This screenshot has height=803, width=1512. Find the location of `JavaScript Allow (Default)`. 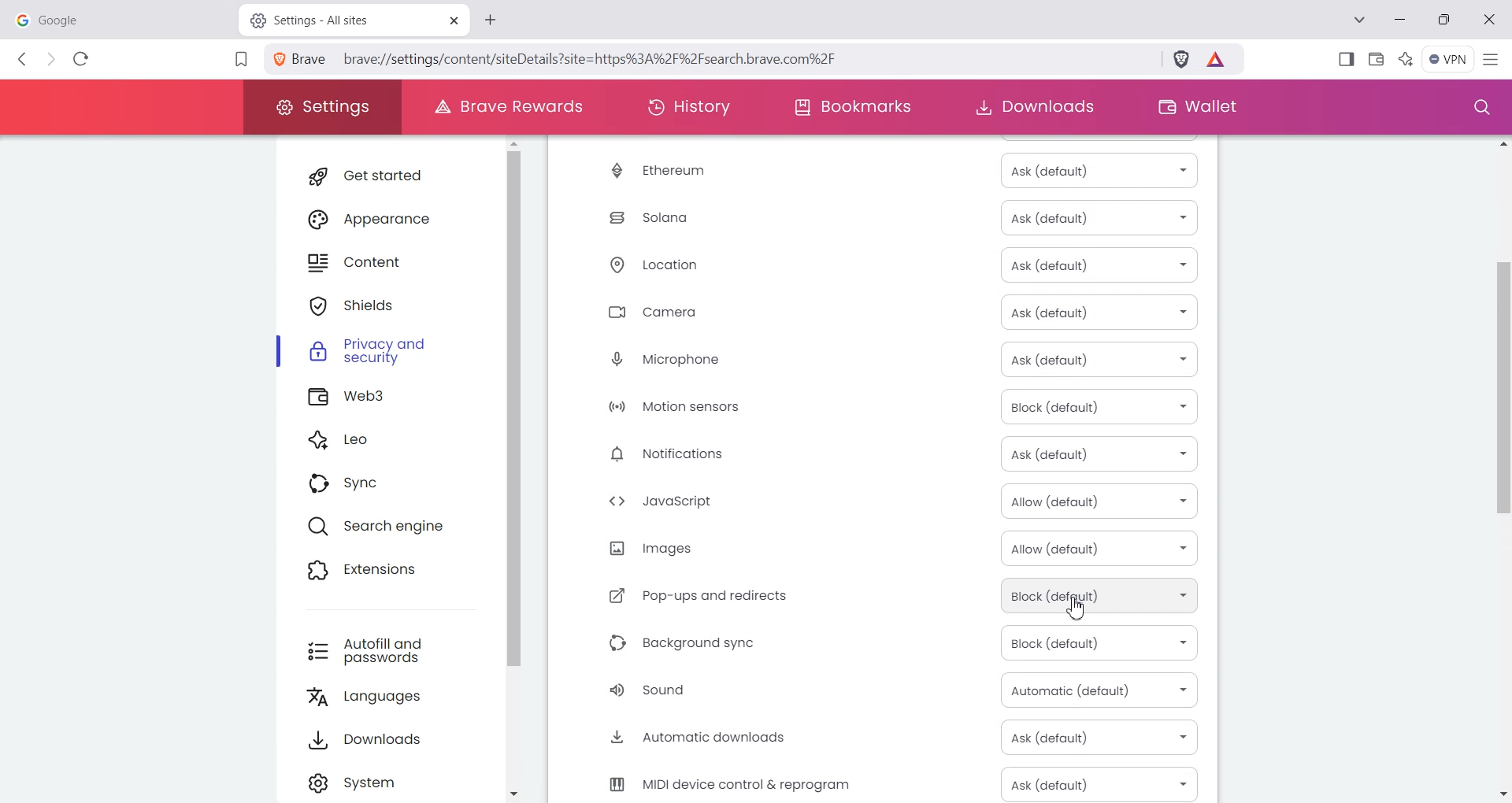

JavaScript Allow (Default) is located at coordinates (885, 501).